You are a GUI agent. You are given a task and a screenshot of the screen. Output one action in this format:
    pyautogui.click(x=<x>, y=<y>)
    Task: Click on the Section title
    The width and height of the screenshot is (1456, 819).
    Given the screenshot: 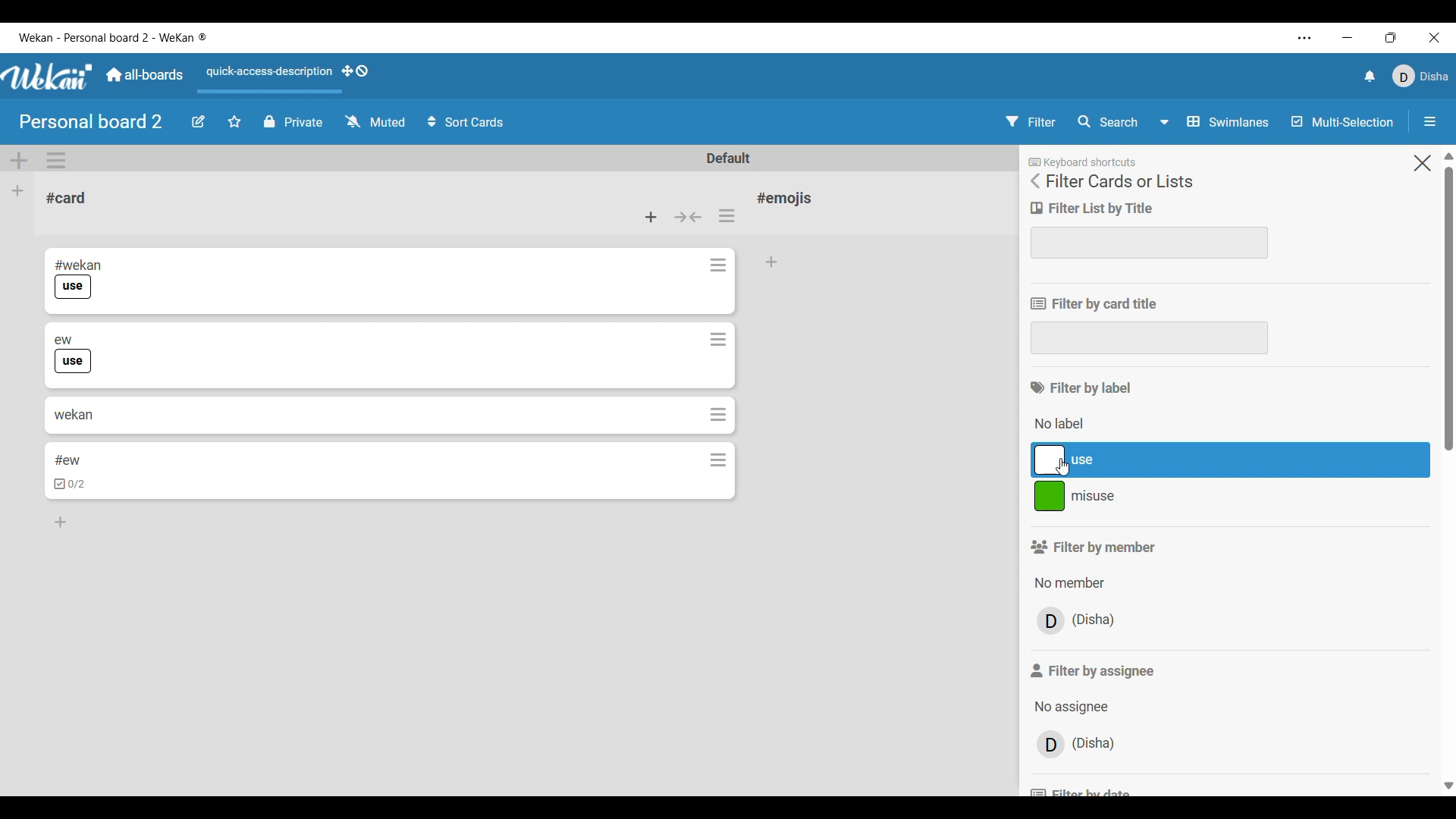 What is the action you would take?
    pyautogui.click(x=1081, y=388)
    